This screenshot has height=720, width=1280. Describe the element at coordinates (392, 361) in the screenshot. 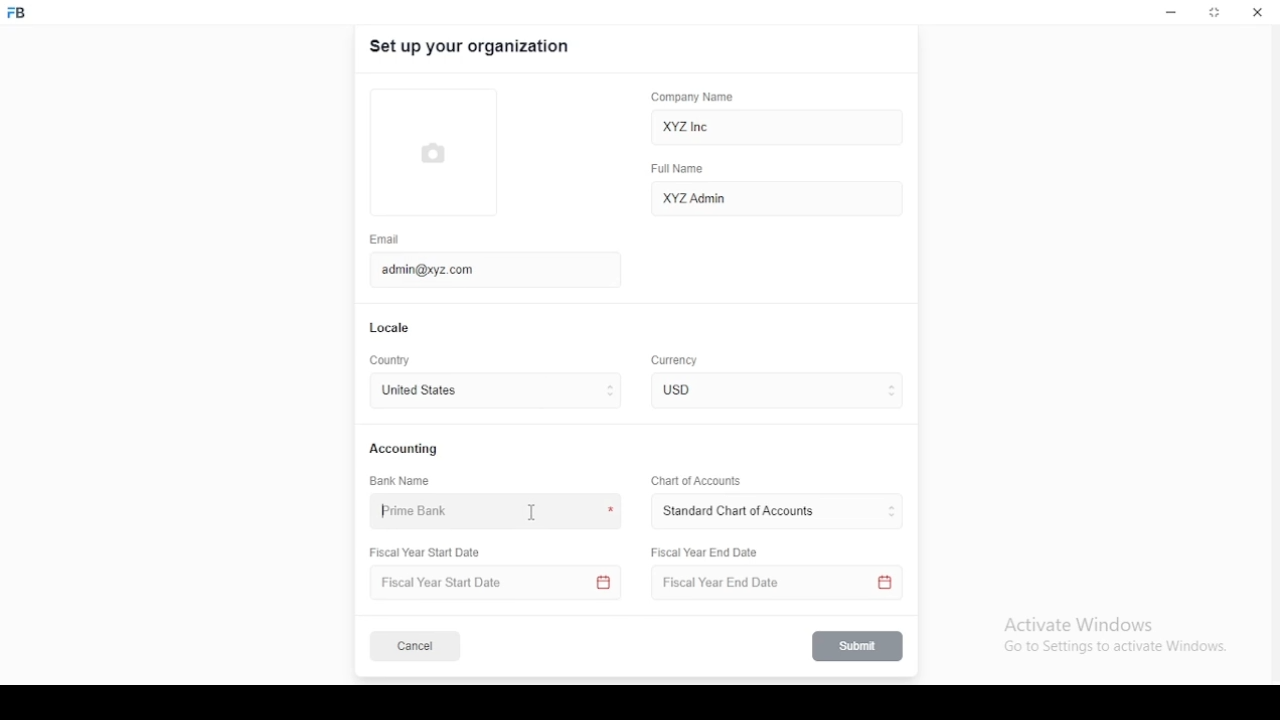

I see `country` at that location.